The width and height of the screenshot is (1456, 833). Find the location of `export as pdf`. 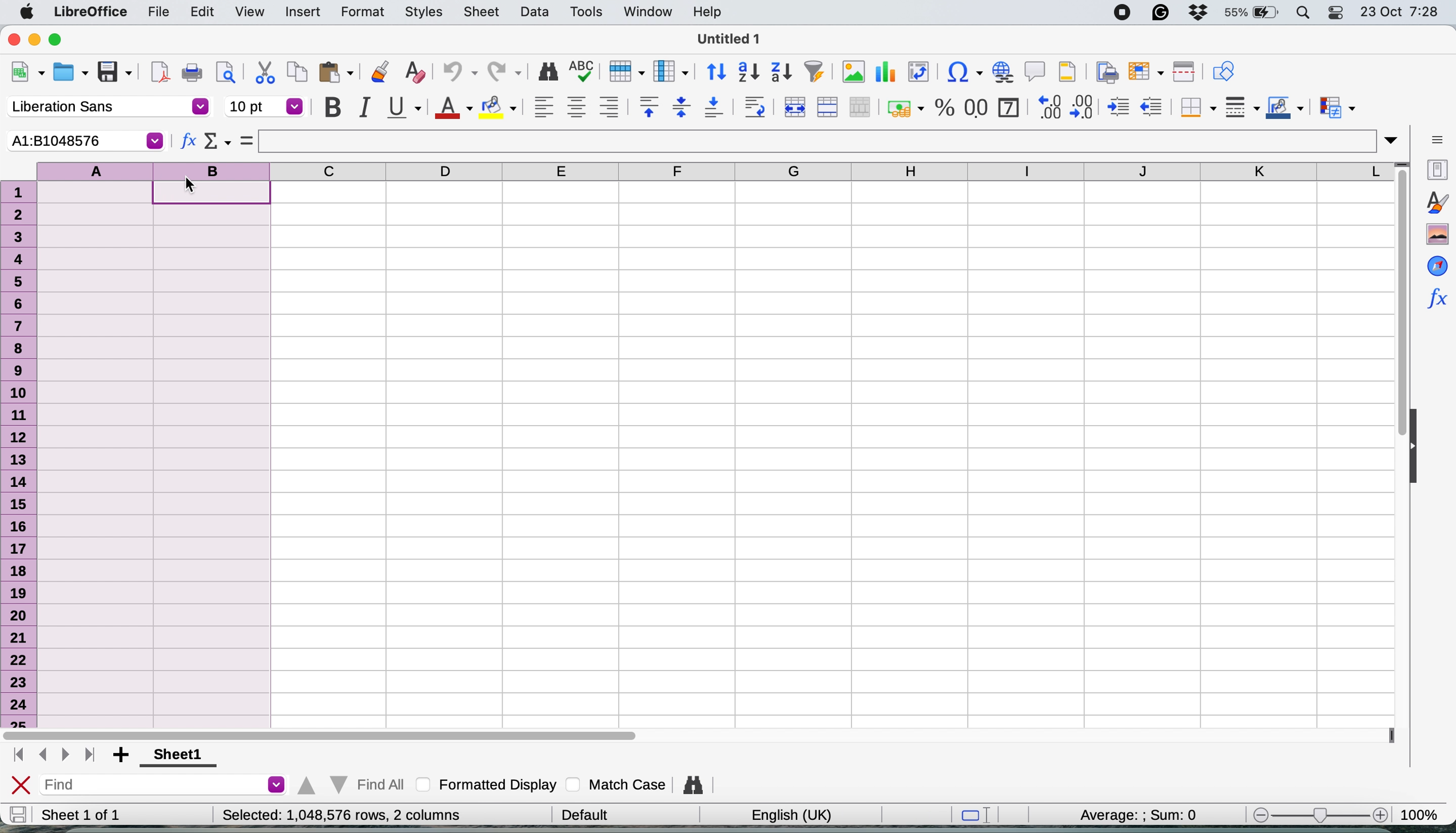

export as pdf is located at coordinates (161, 74).